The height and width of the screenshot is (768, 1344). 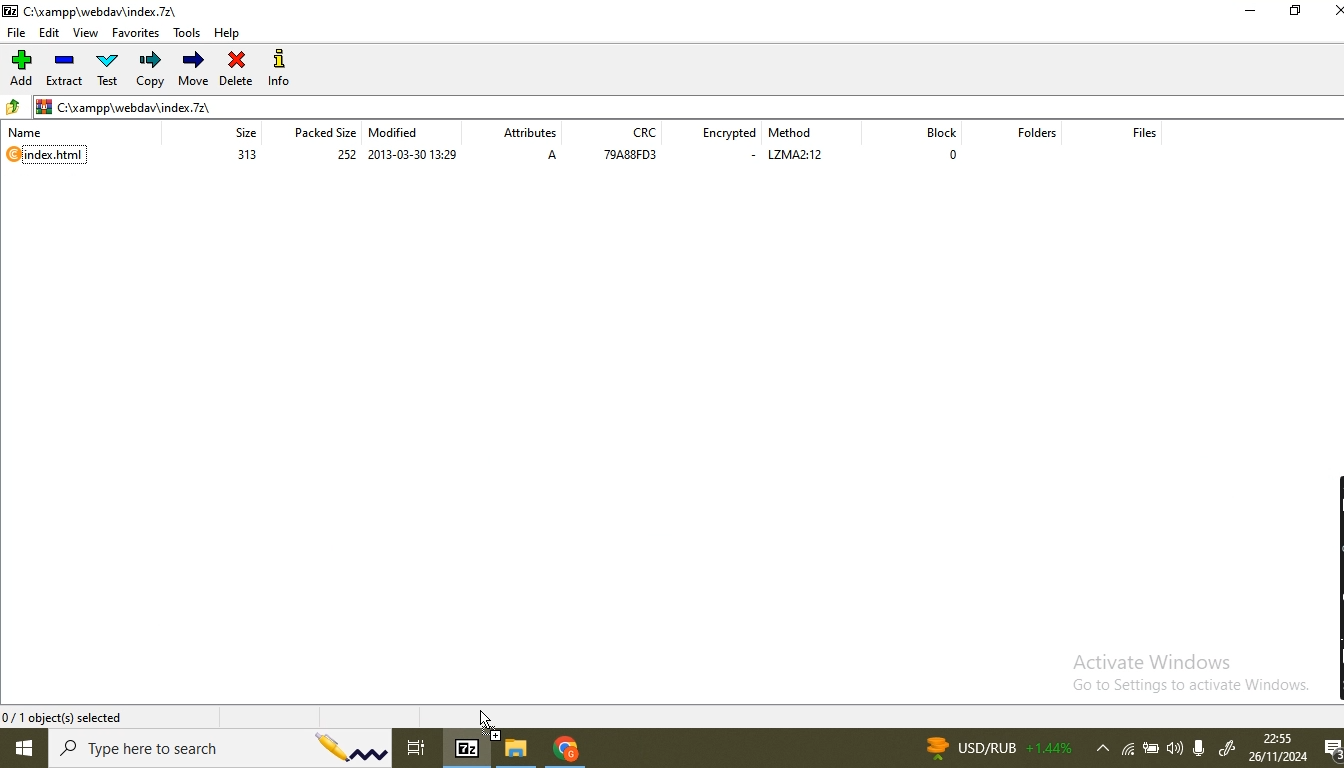 What do you see at coordinates (109, 70) in the screenshot?
I see `test` at bounding box center [109, 70].